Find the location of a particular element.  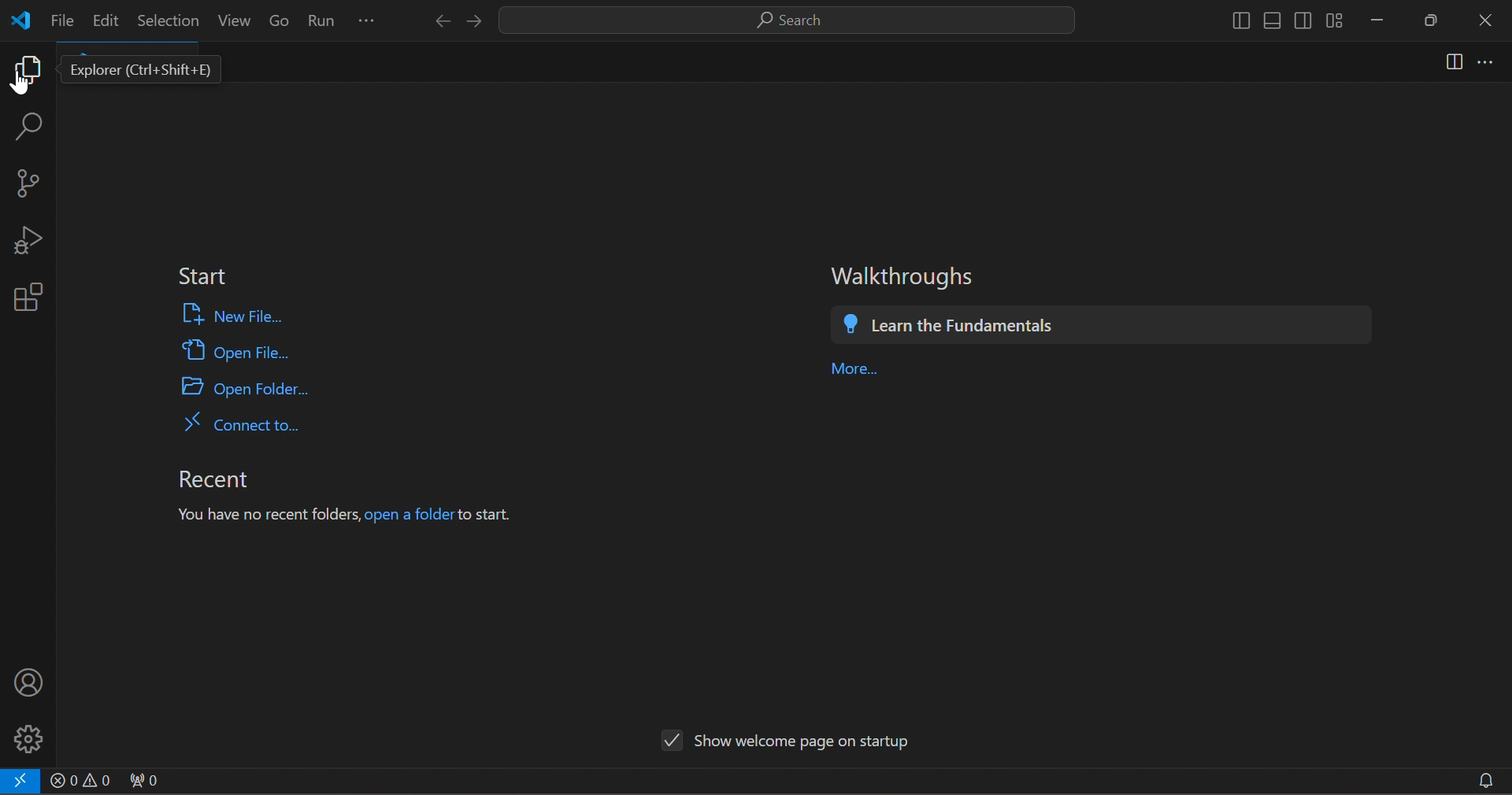

go is located at coordinates (280, 17).